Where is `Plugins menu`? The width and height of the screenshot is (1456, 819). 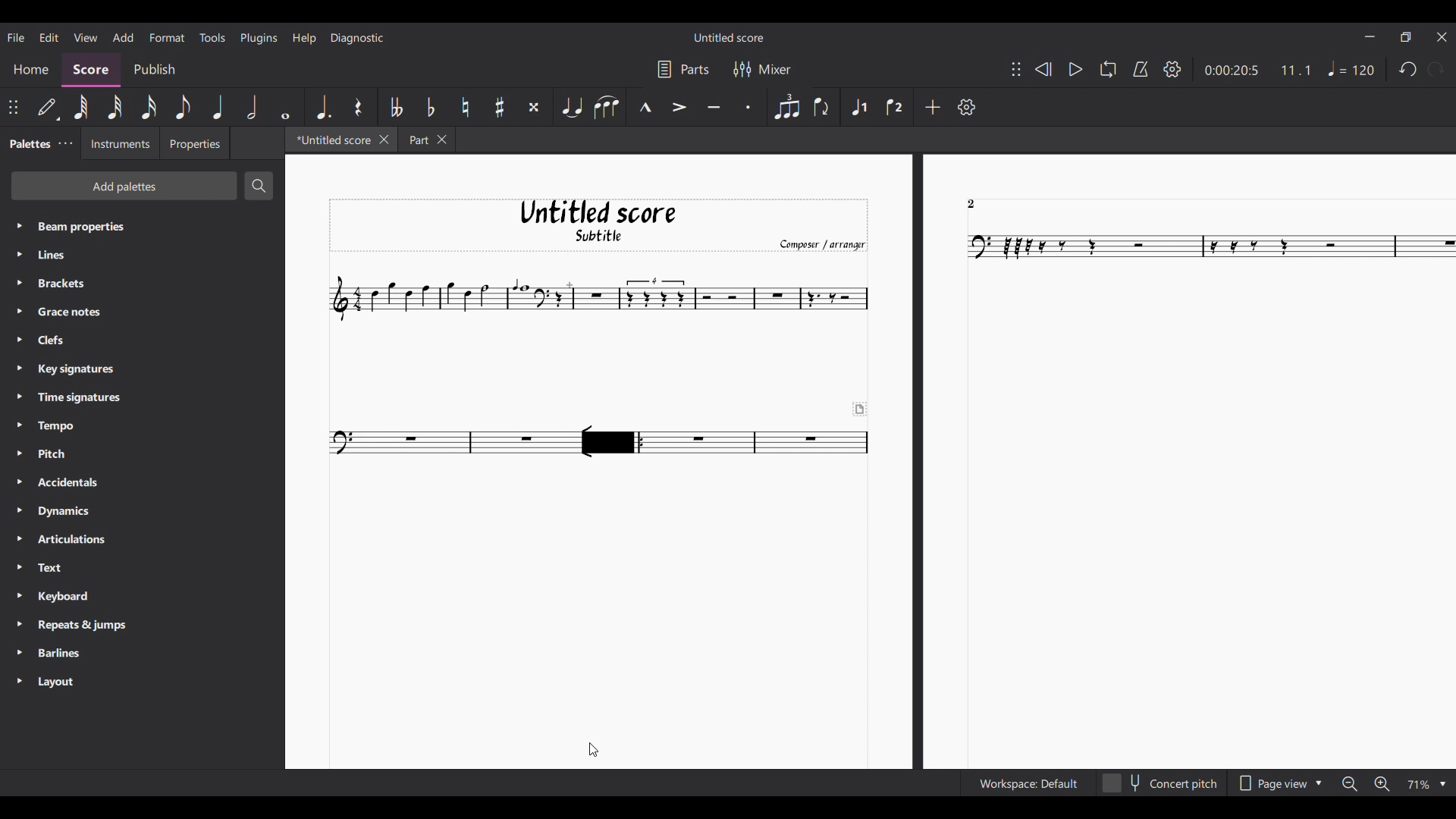 Plugins menu is located at coordinates (259, 39).